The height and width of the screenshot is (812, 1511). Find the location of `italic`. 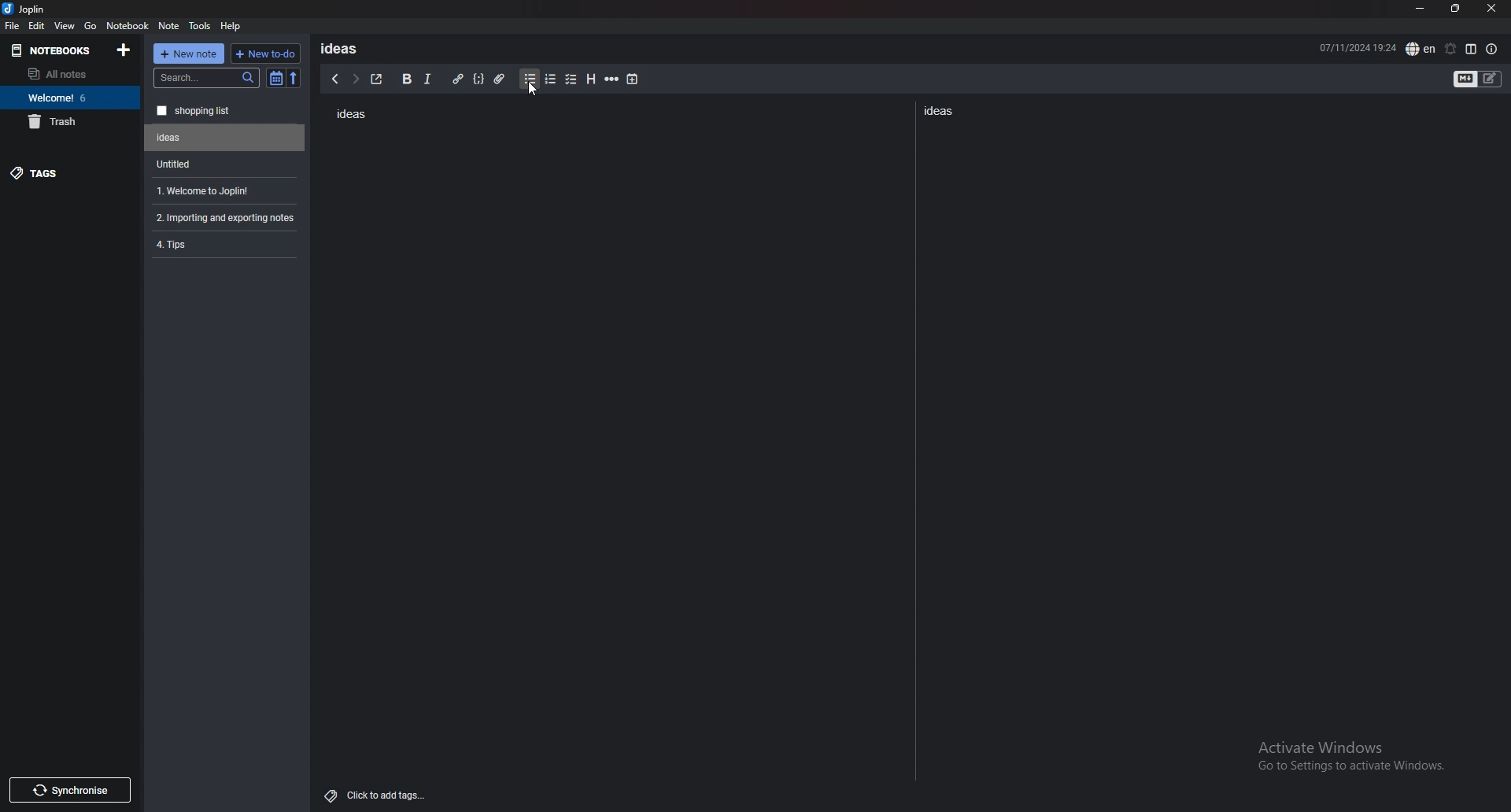

italic is located at coordinates (427, 79).